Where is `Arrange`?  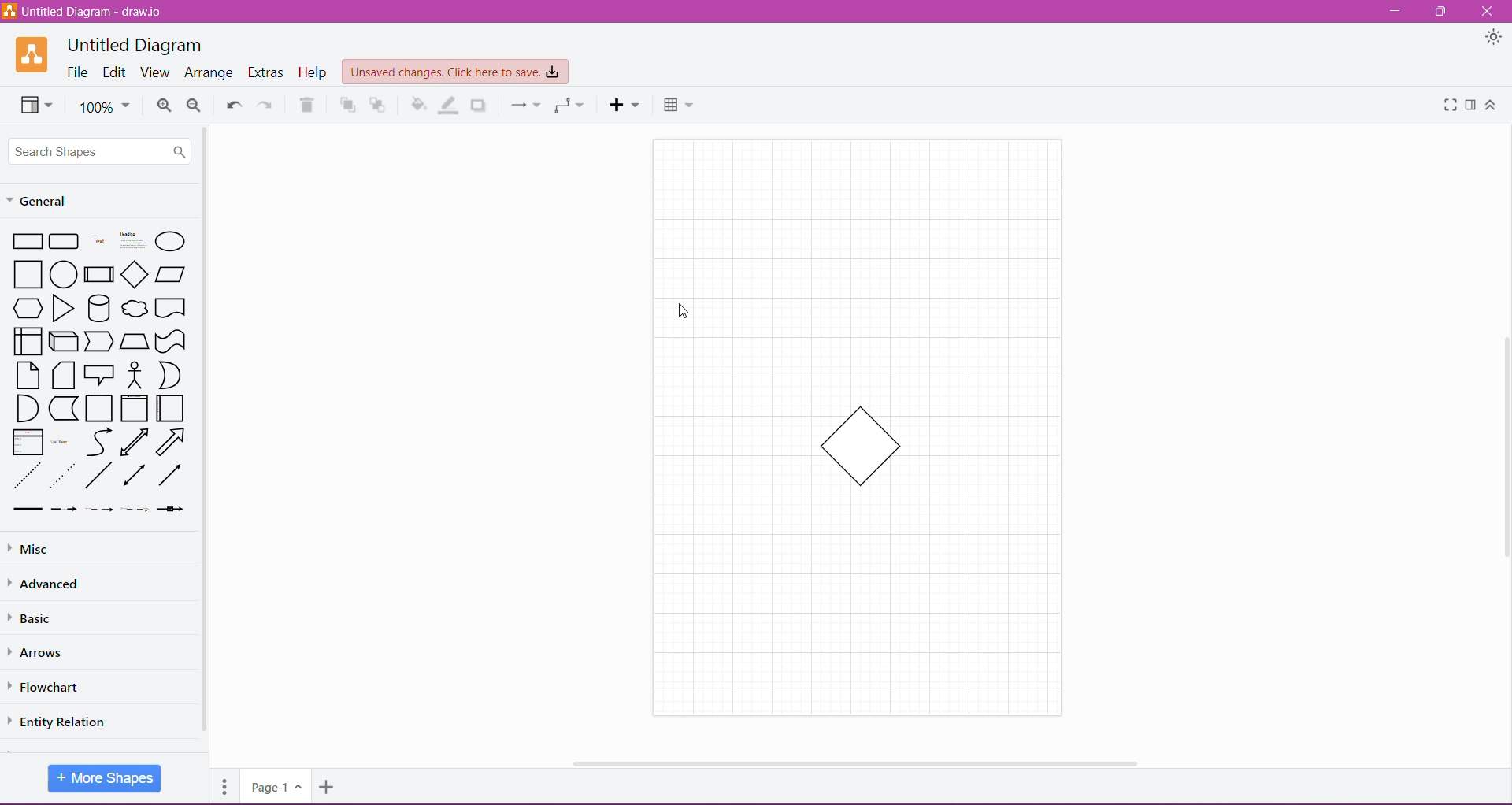 Arrange is located at coordinates (210, 74).